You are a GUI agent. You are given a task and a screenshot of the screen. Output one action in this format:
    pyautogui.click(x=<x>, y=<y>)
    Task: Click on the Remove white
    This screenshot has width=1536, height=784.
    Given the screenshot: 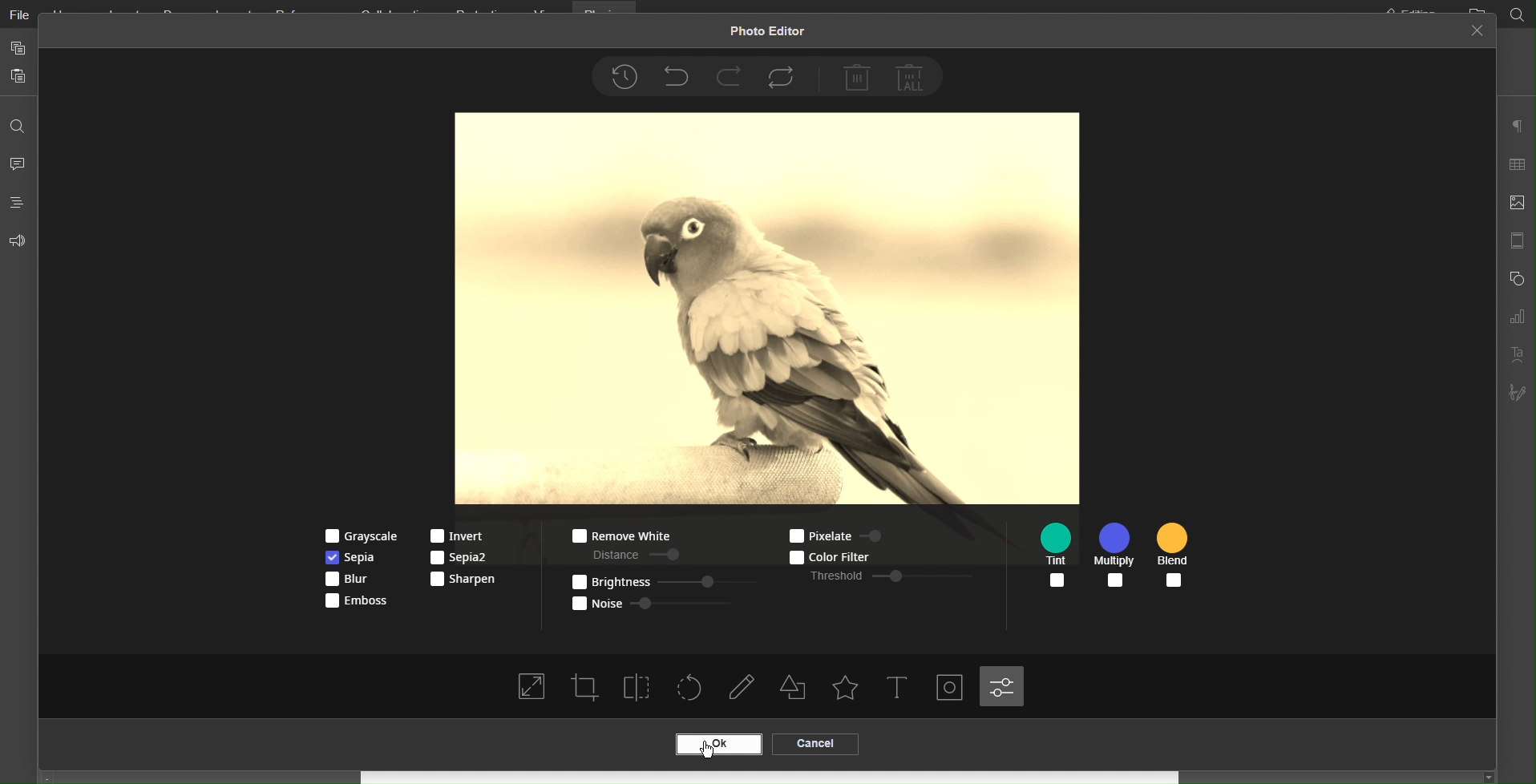 What is the action you would take?
    pyautogui.click(x=619, y=536)
    